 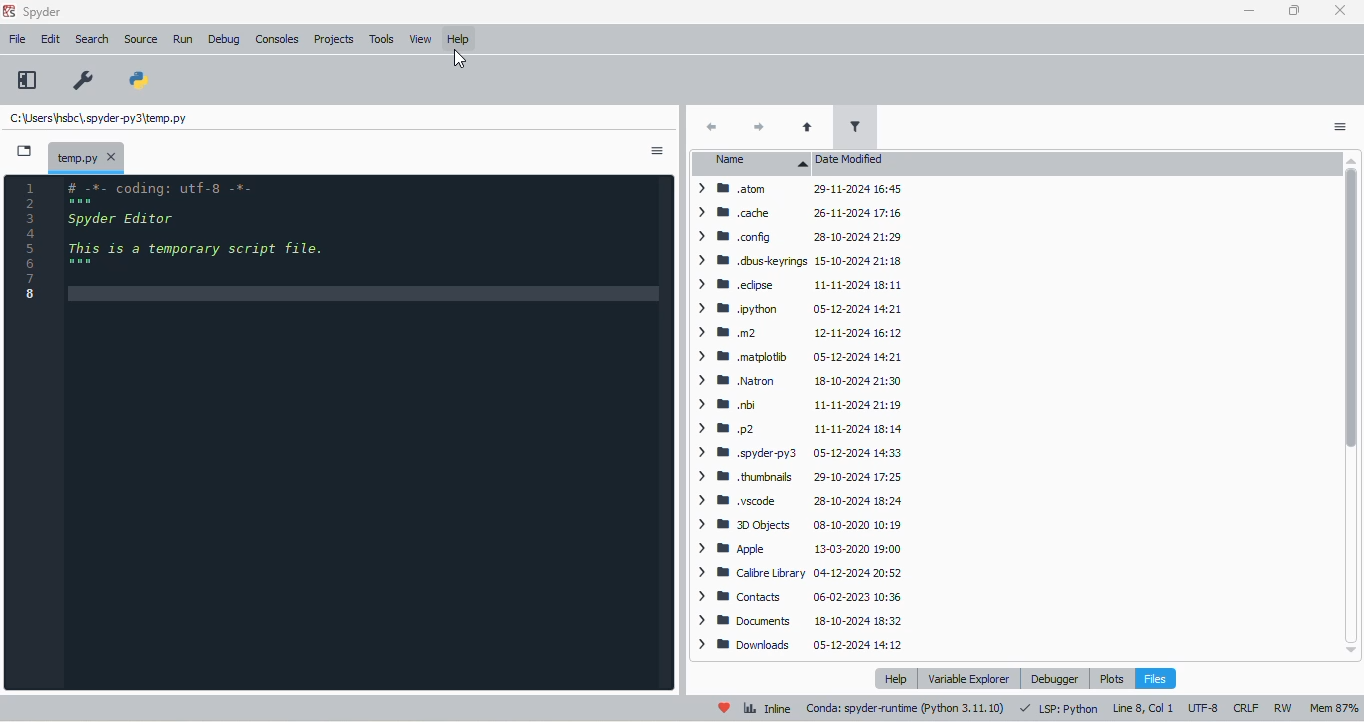 What do you see at coordinates (905, 708) in the screenshot?
I see `conda: spyder-runtime (Python 3. 11. 10)` at bounding box center [905, 708].